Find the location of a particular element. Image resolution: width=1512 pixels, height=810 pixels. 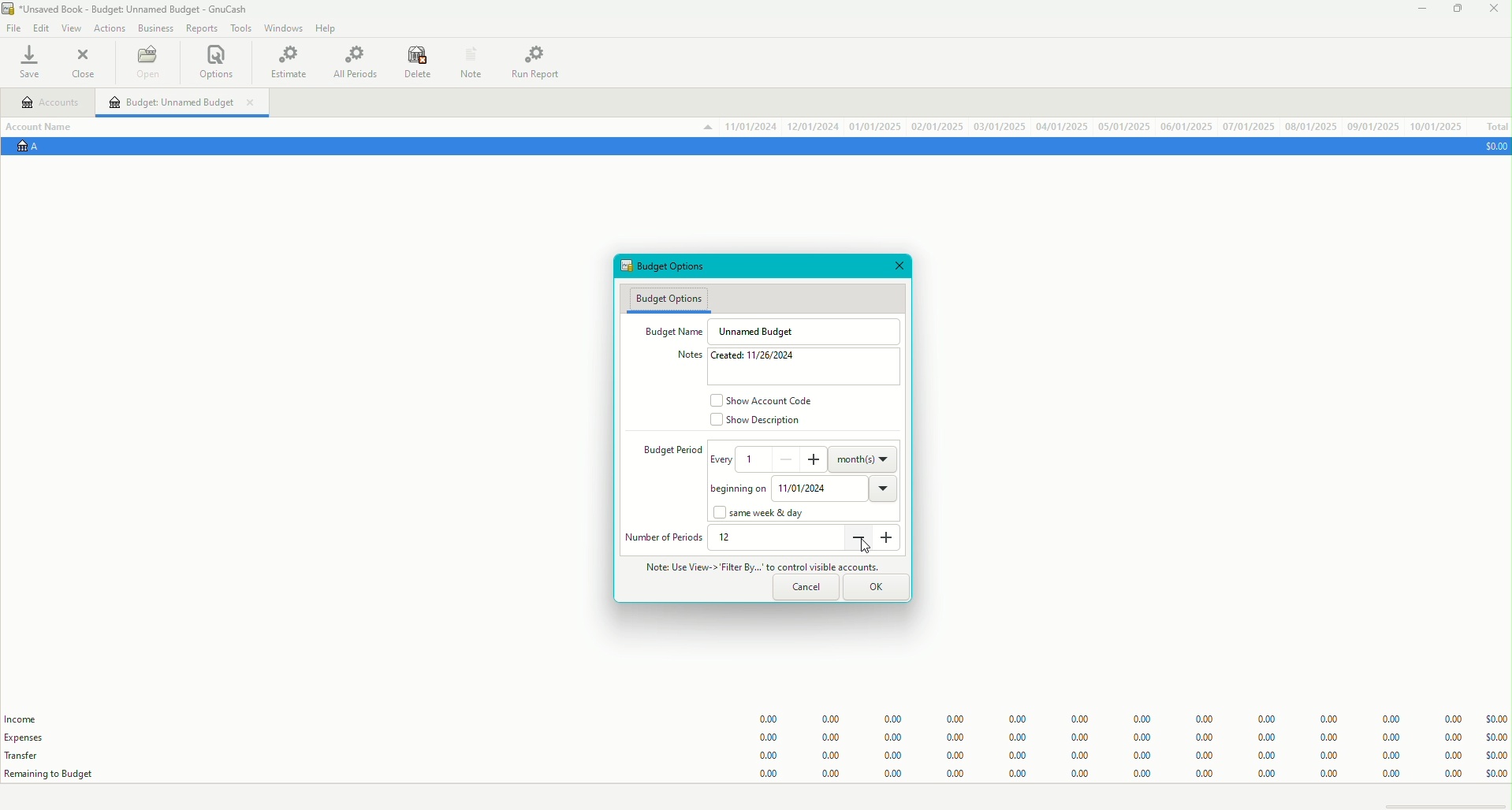

Delete is located at coordinates (418, 64).